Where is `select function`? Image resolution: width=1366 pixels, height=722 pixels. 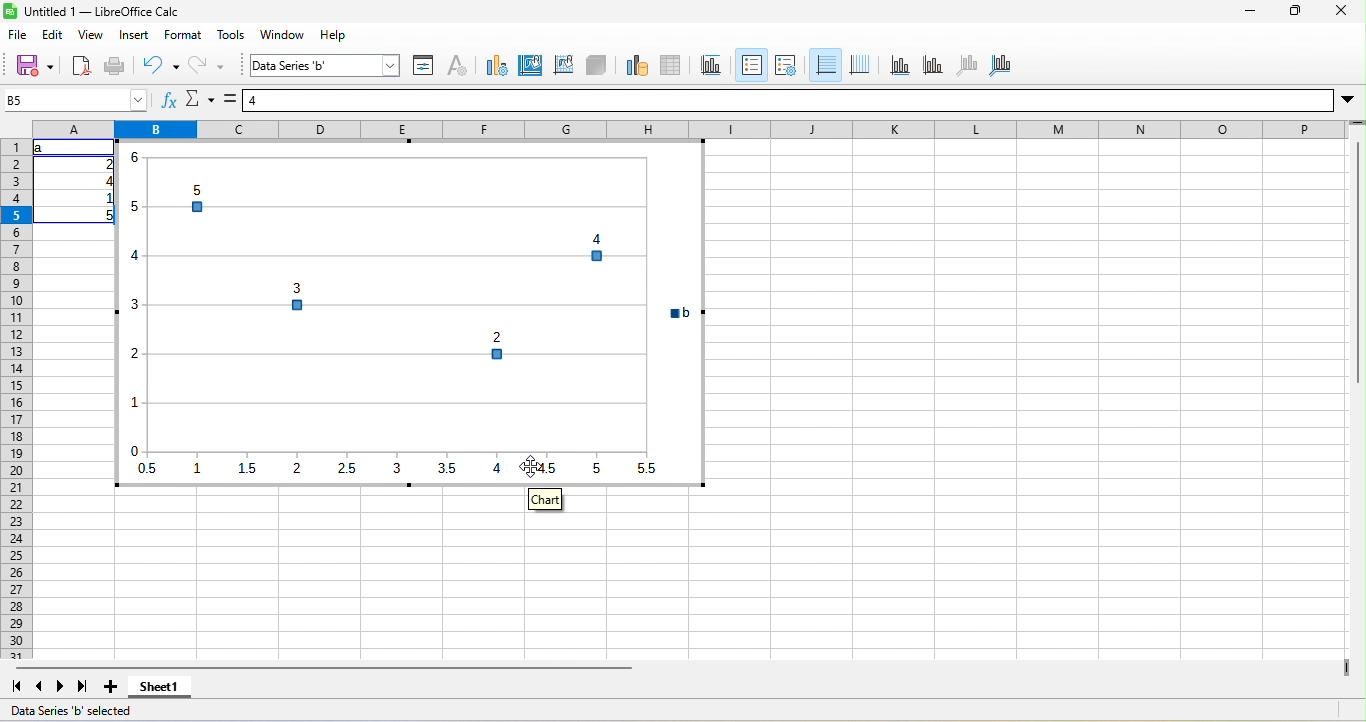 select function is located at coordinates (200, 99).